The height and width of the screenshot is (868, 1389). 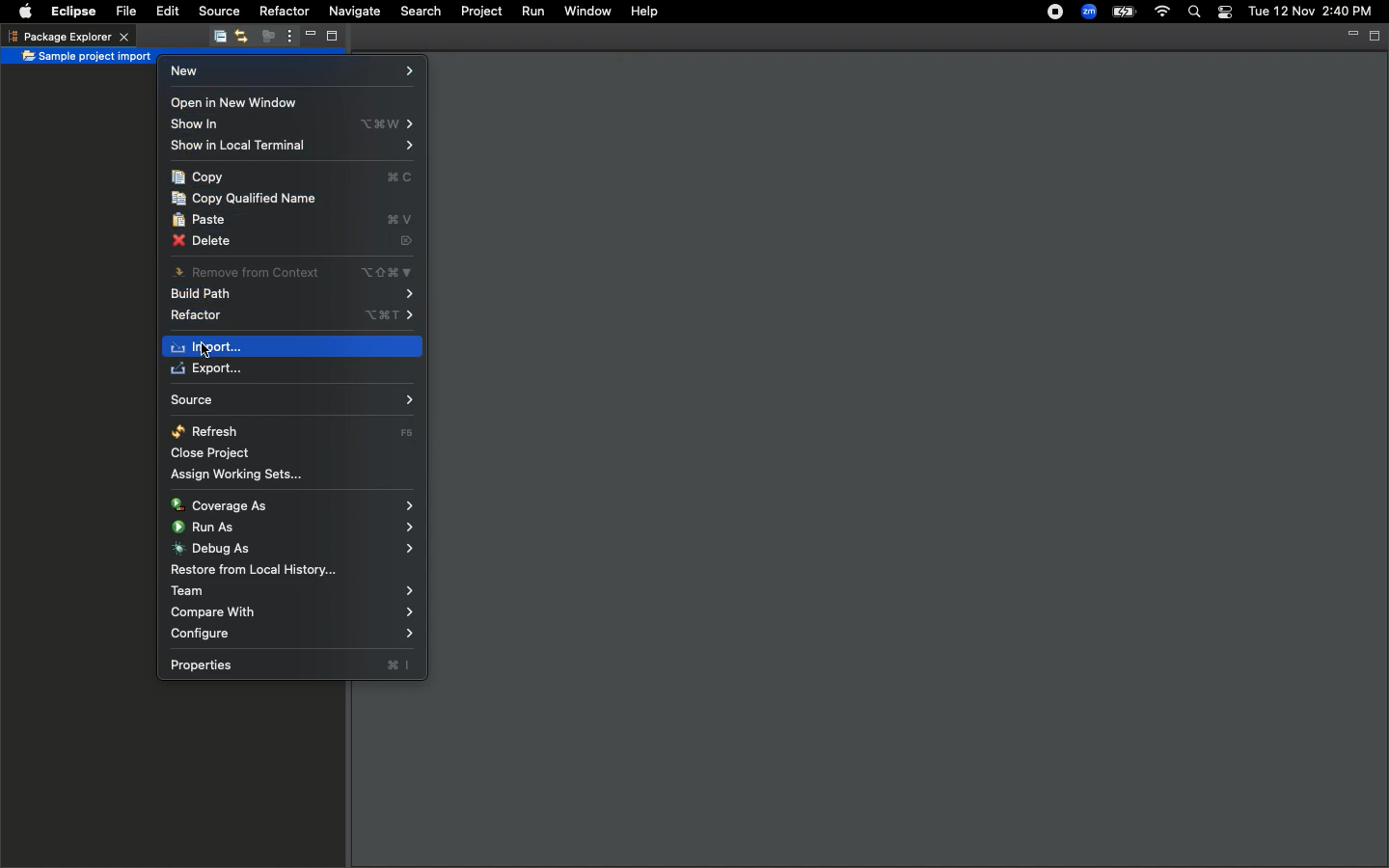 What do you see at coordinates (644, 12) in the screenshot?
I see `Help` at bounding box center [644, 12].